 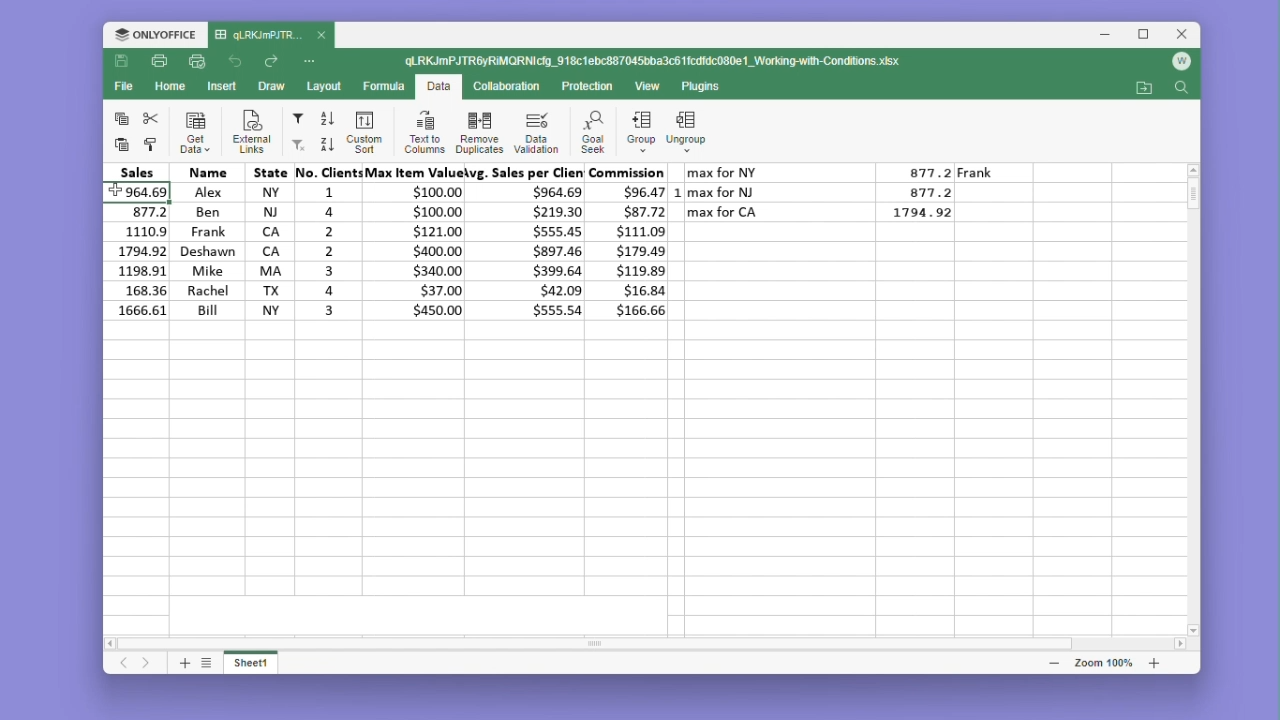 What do you see at coordinates (297, 119) in the screenshot?
I see `Filter` at bounding box center [297, 119].